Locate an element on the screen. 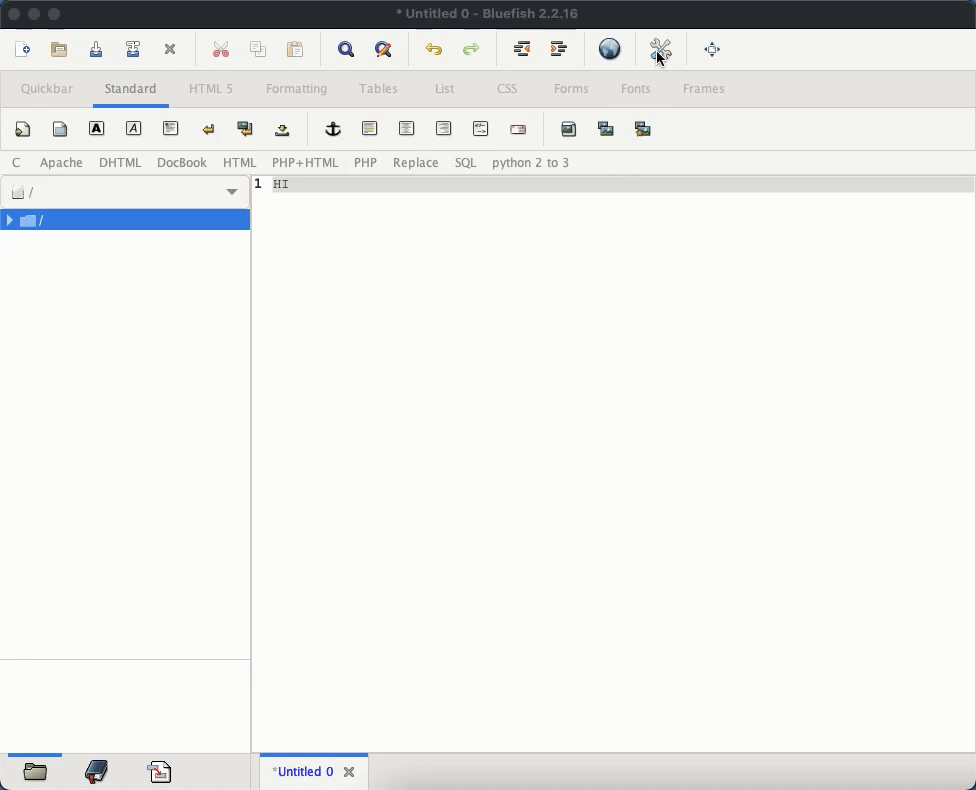 This screenshot has width=976, height=790. maximize is located at coordinates (55, 15).